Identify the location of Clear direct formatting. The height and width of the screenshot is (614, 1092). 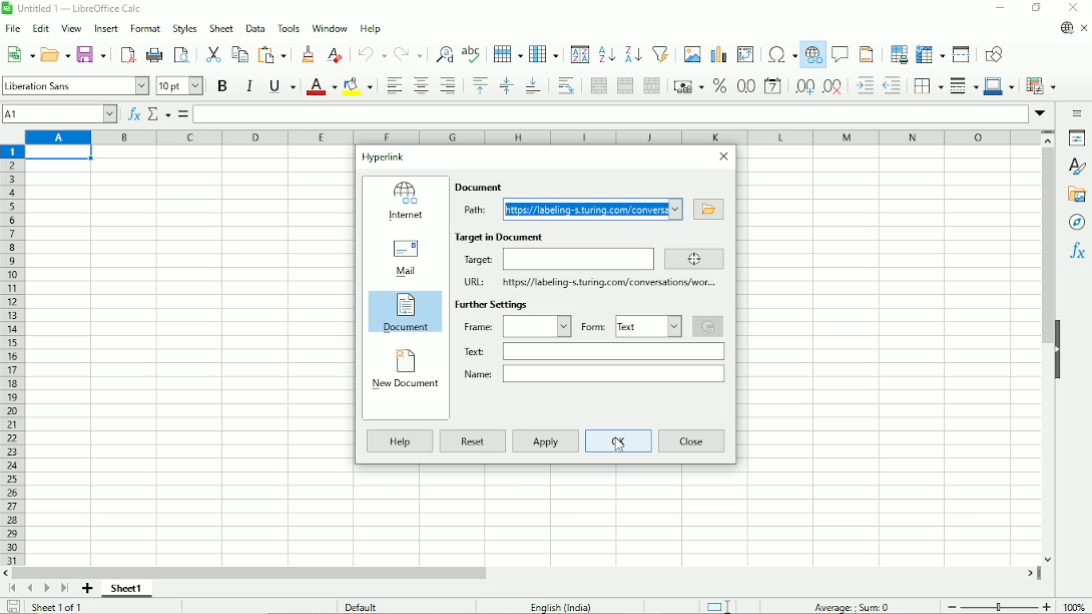
(334, 55).